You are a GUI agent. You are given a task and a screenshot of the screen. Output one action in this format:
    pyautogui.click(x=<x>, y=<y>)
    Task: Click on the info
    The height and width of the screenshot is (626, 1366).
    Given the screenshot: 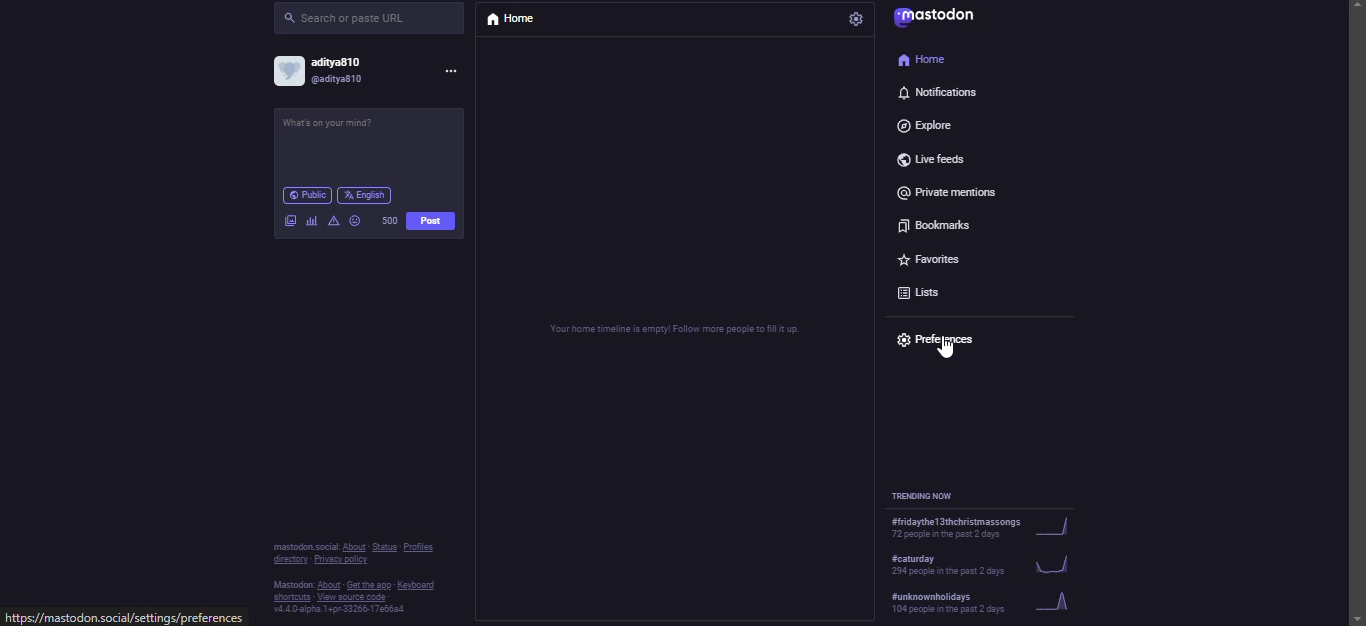 What is the action you would take?
    pyautogui.click(x=351, y=577)
    